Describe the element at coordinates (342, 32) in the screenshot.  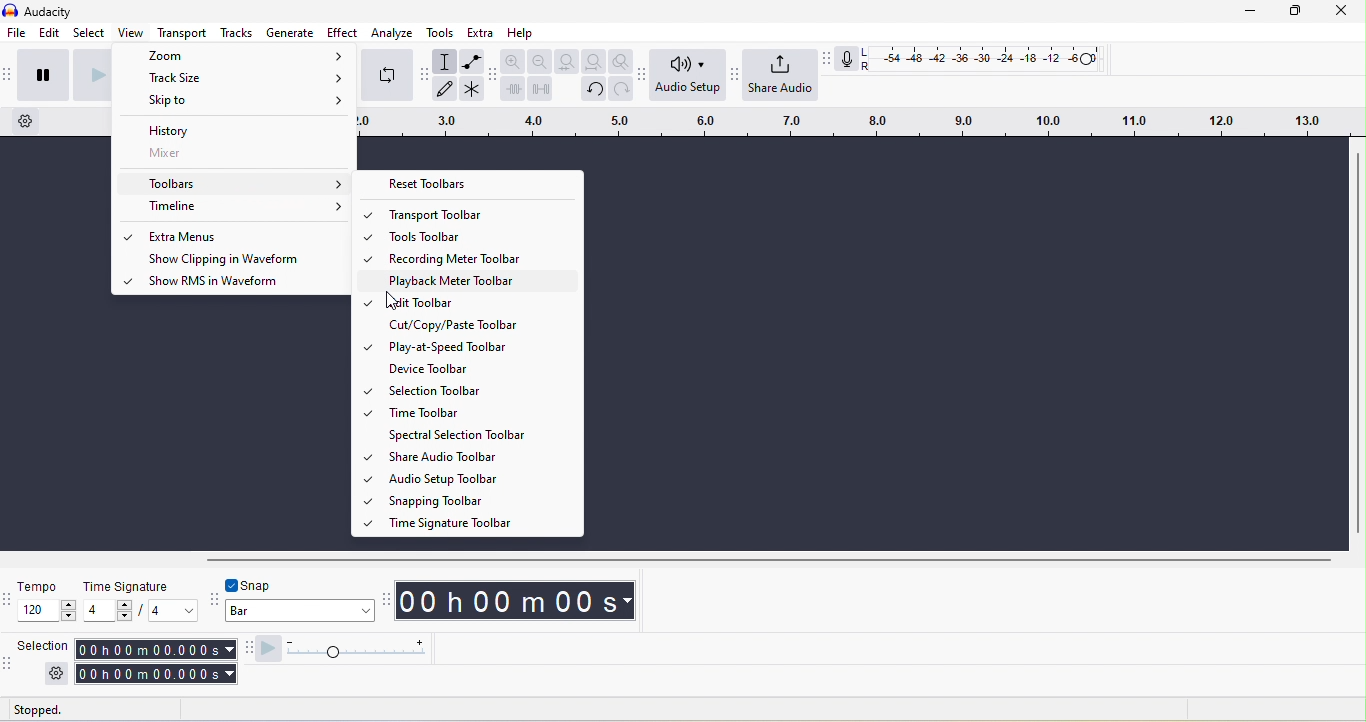
I see `effect` at that location.